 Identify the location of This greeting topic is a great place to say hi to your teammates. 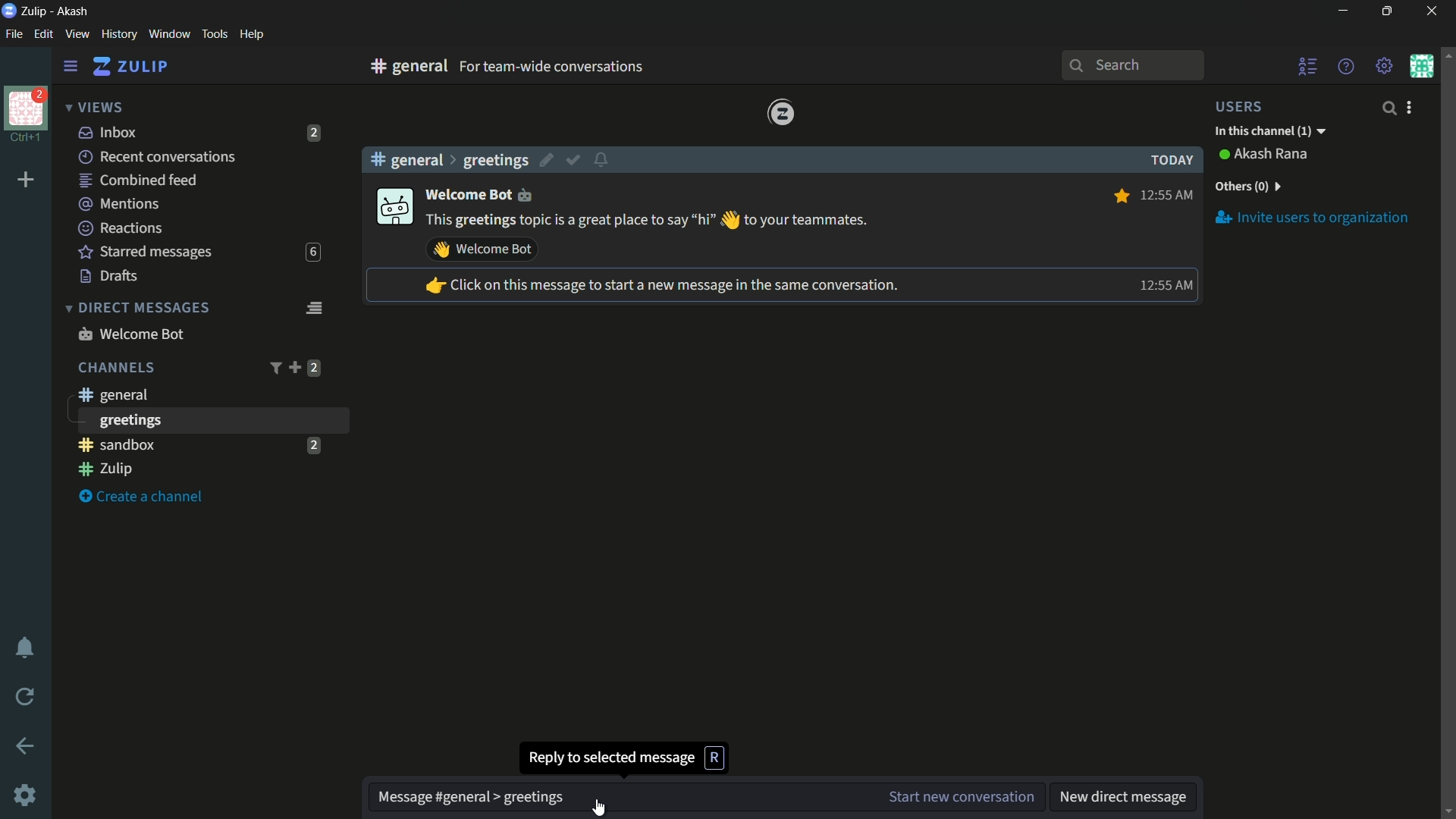
(648, 221).